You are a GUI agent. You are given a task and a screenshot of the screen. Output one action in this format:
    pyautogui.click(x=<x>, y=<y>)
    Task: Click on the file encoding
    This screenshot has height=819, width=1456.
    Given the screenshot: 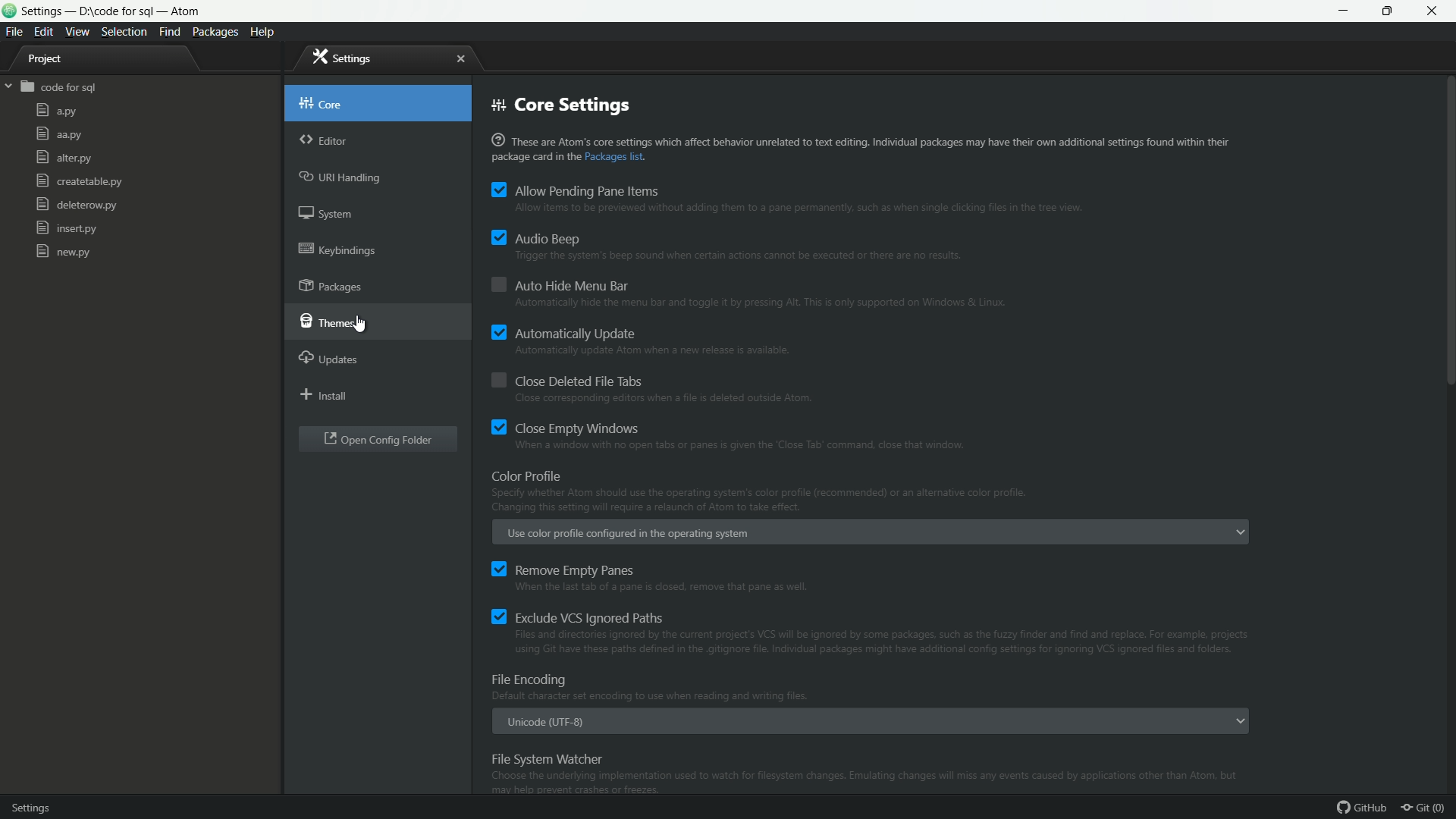 What is the action you would take?
    pyautogui.click(x=533, y=680)
    